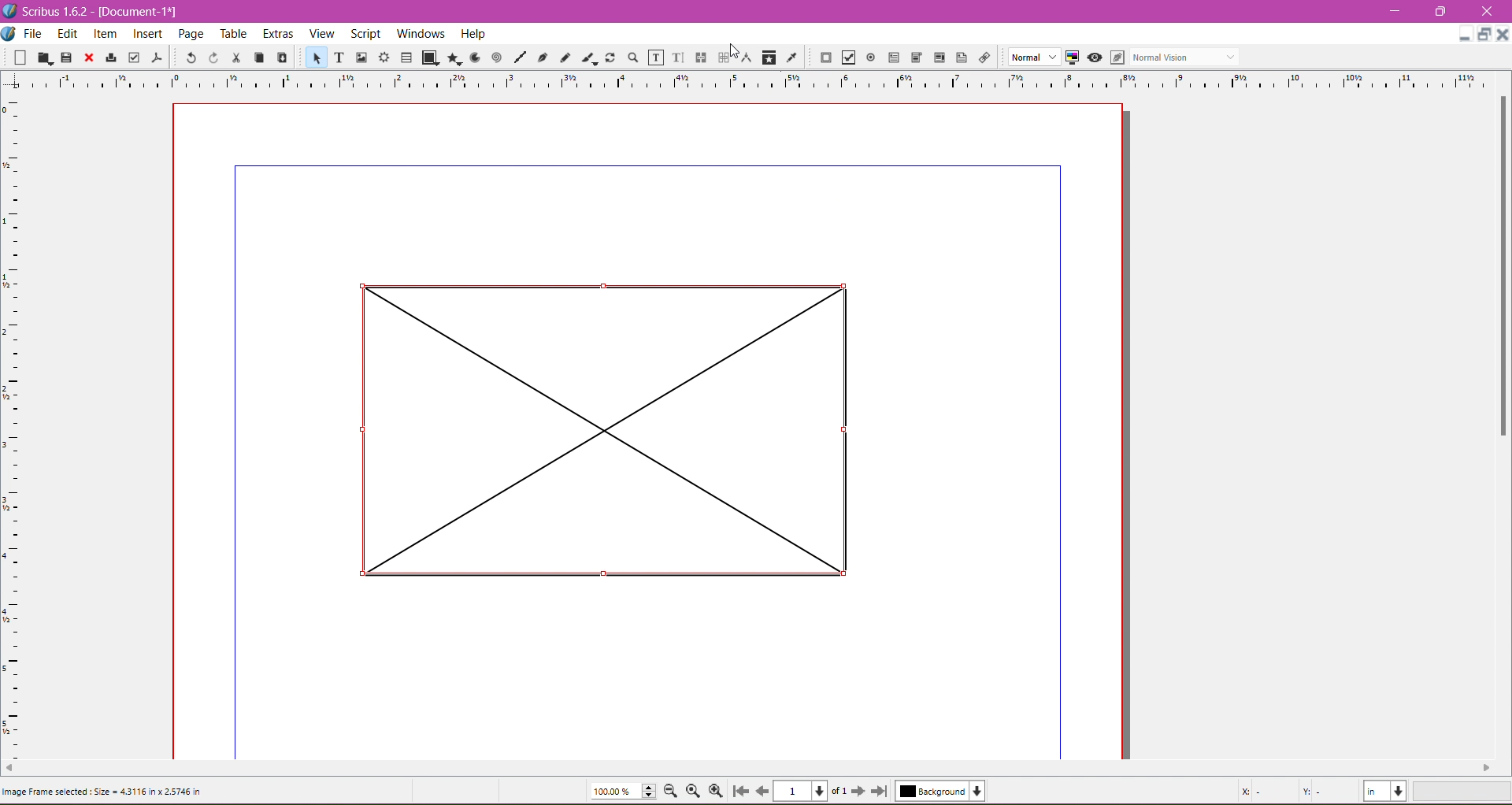 Image resolution: width=1512 pixels, height=805 pixels. I want to click on Windows, so click(419, 32).